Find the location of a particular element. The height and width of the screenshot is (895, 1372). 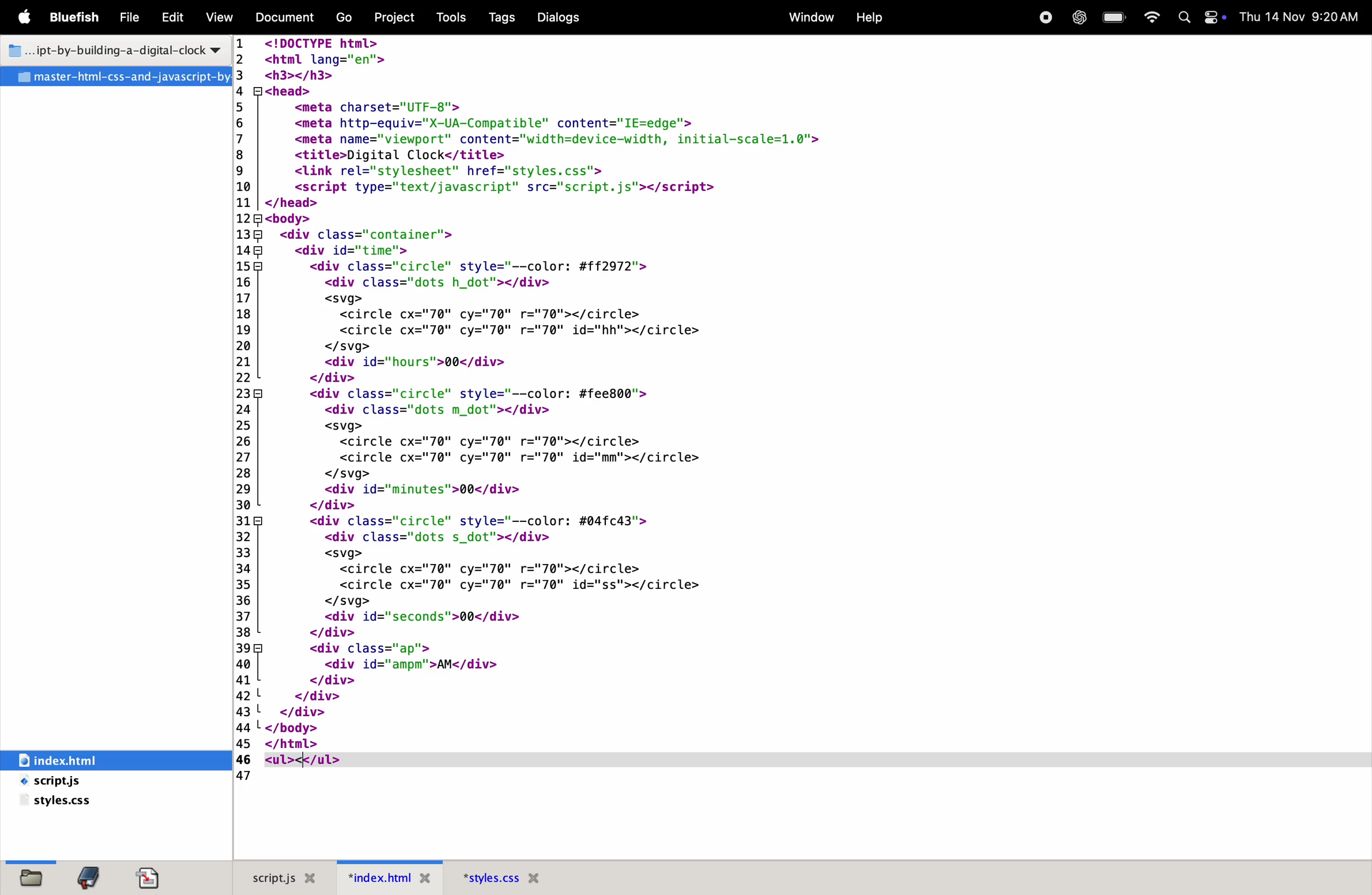

code block is located at coordinates (617, 394).